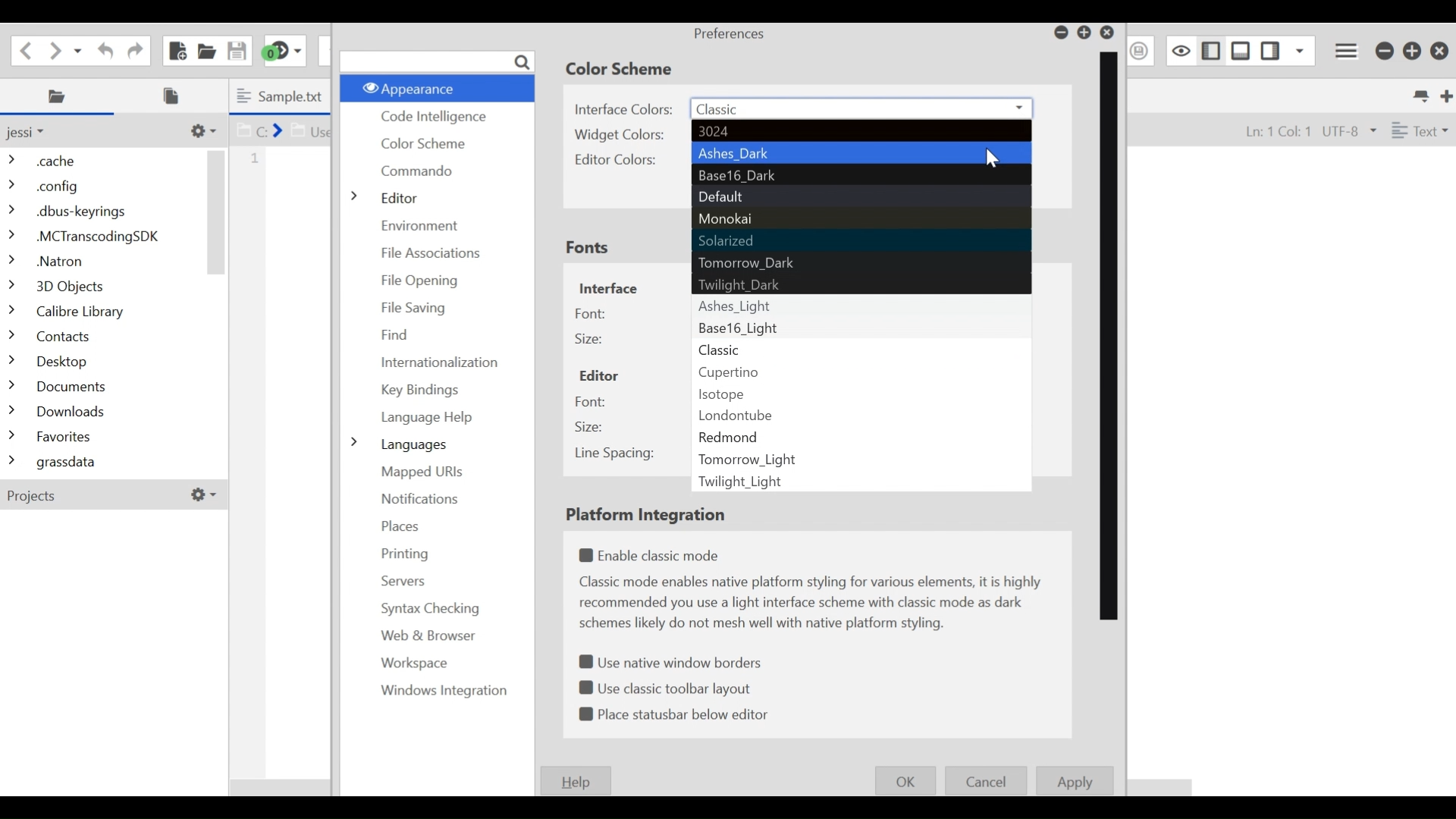 The image size is (1456, 819). Describe the element at coordinates (1444, 94) in the screenshot. I see `New Tab` at that location.